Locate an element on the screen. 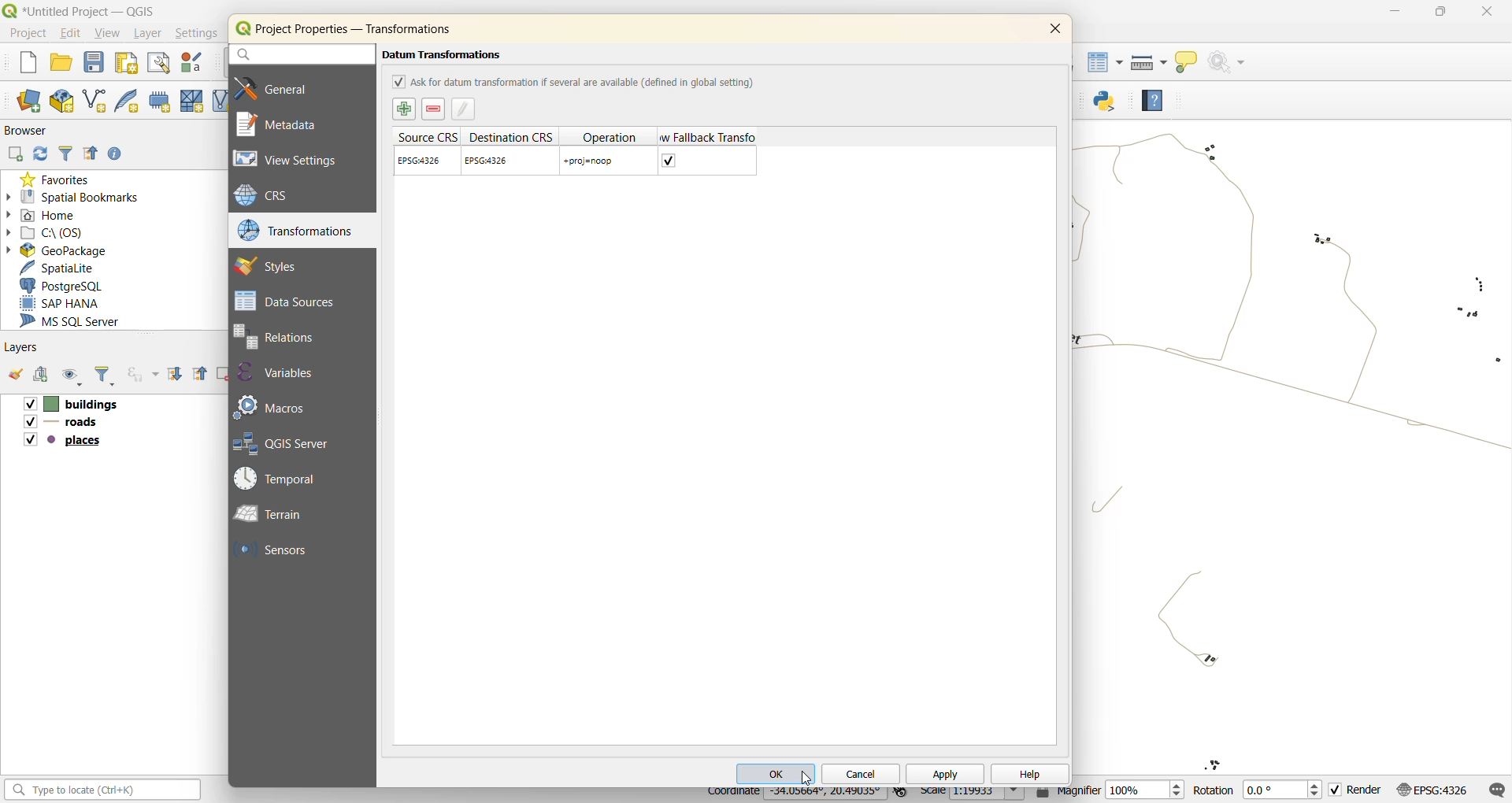  no action is located at coordinates (1232, 62).